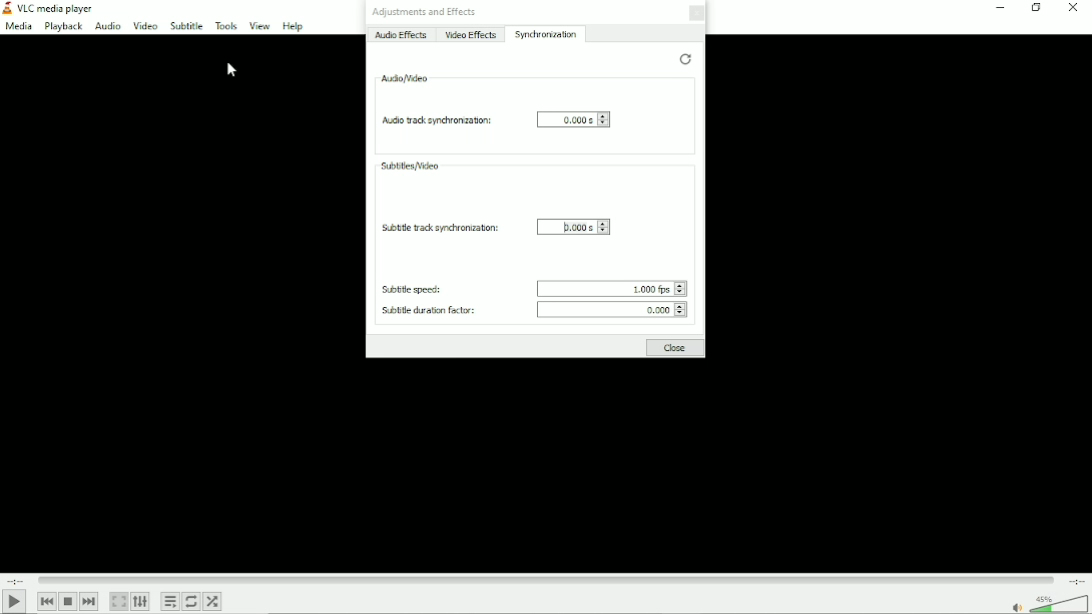 This screenshot has width=1092, height=614. What do you see at coordinates (294, 26) in the screenshot?
I see `Help` at bounding box center [294, 26].